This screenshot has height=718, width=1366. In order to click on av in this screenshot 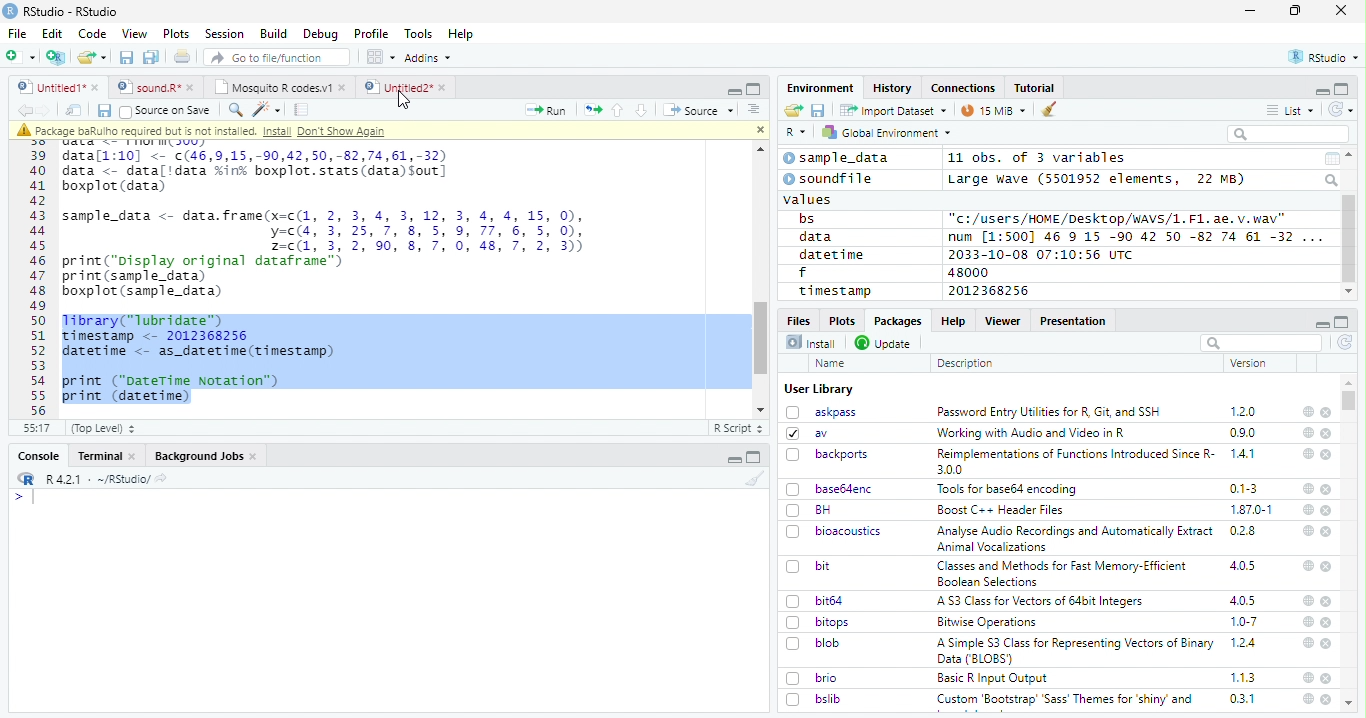, I will do `click(807, 432)`.